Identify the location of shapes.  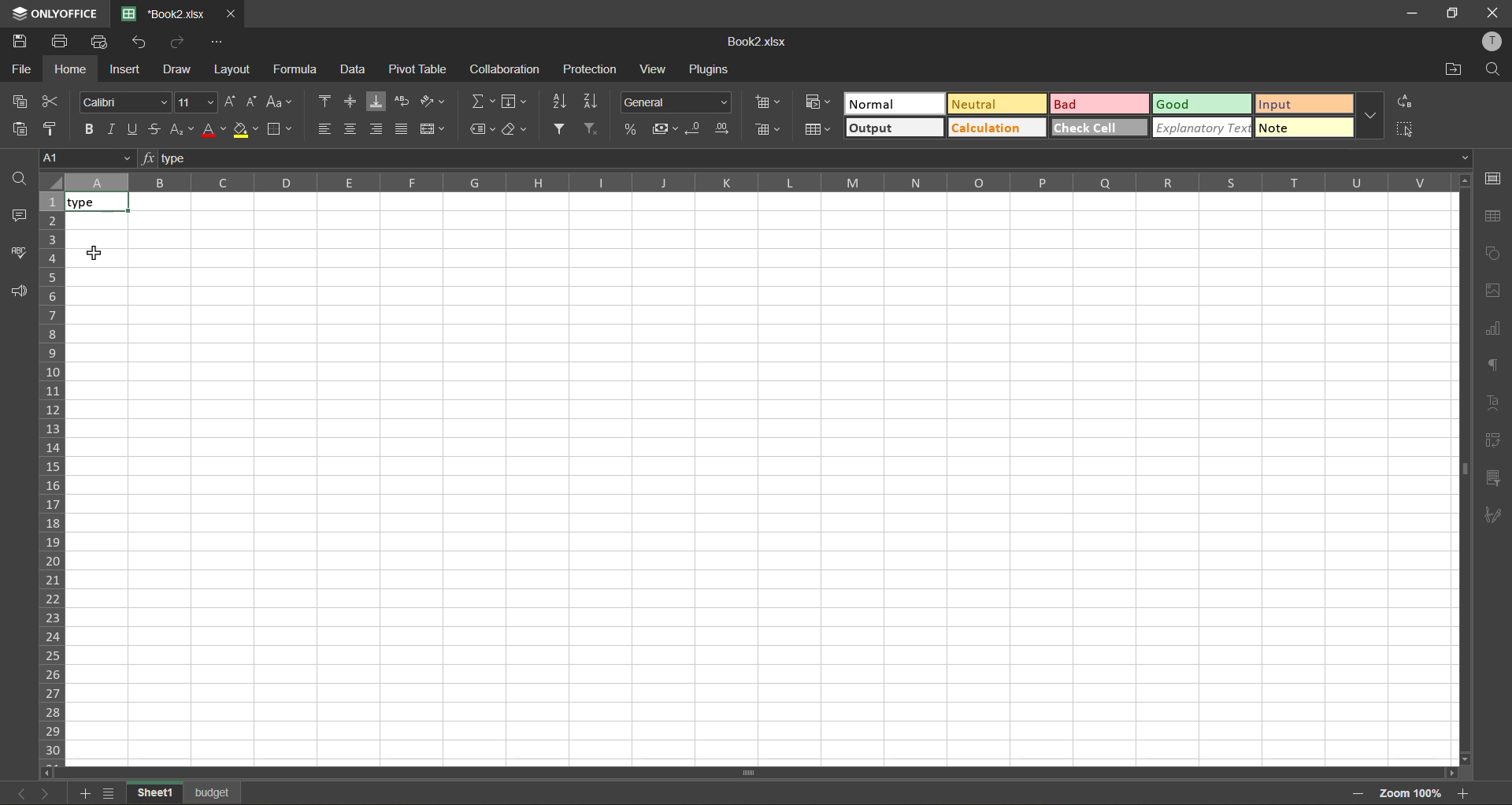
(1497, 254).